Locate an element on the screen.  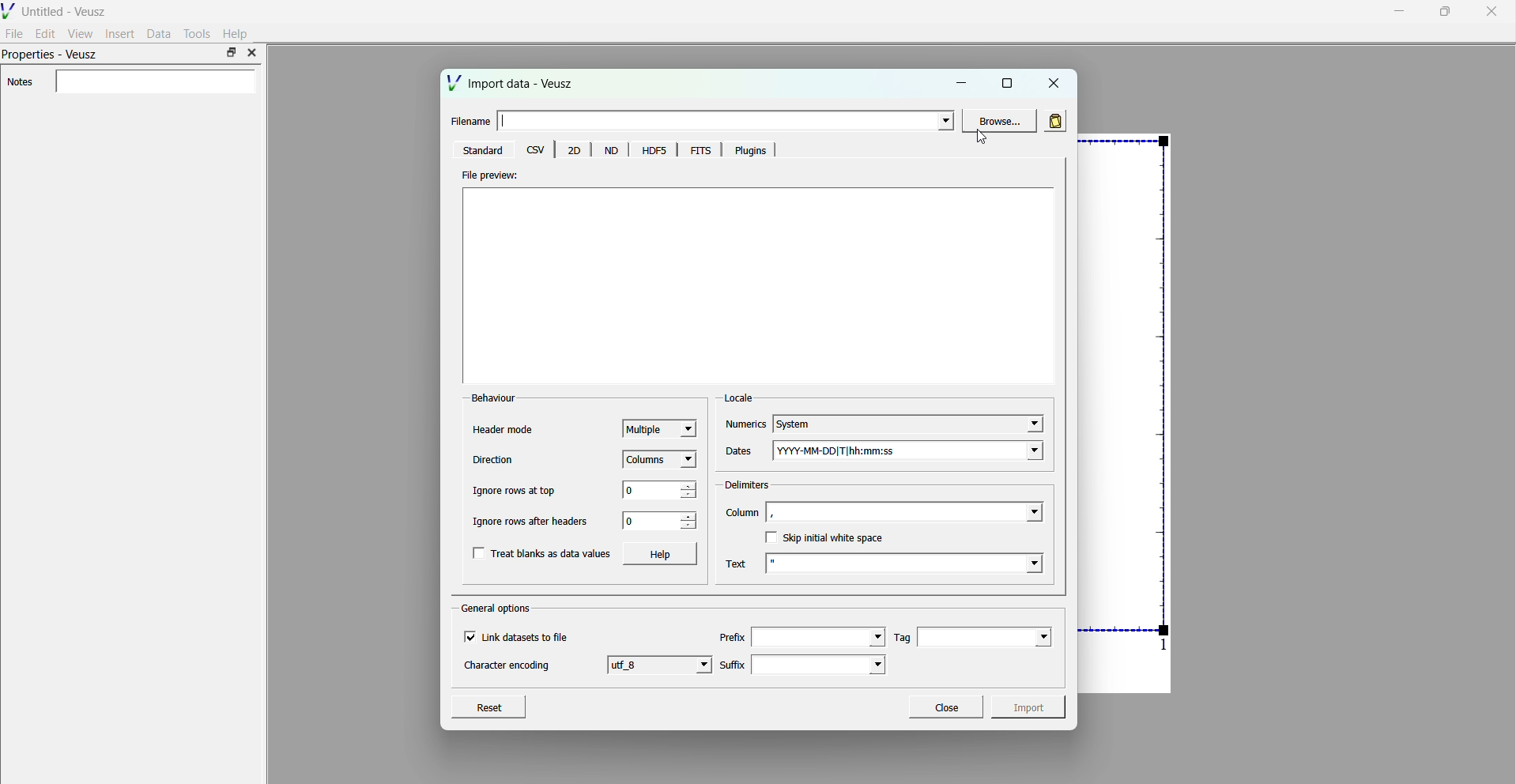
Close is located at coordinates (945, 705).